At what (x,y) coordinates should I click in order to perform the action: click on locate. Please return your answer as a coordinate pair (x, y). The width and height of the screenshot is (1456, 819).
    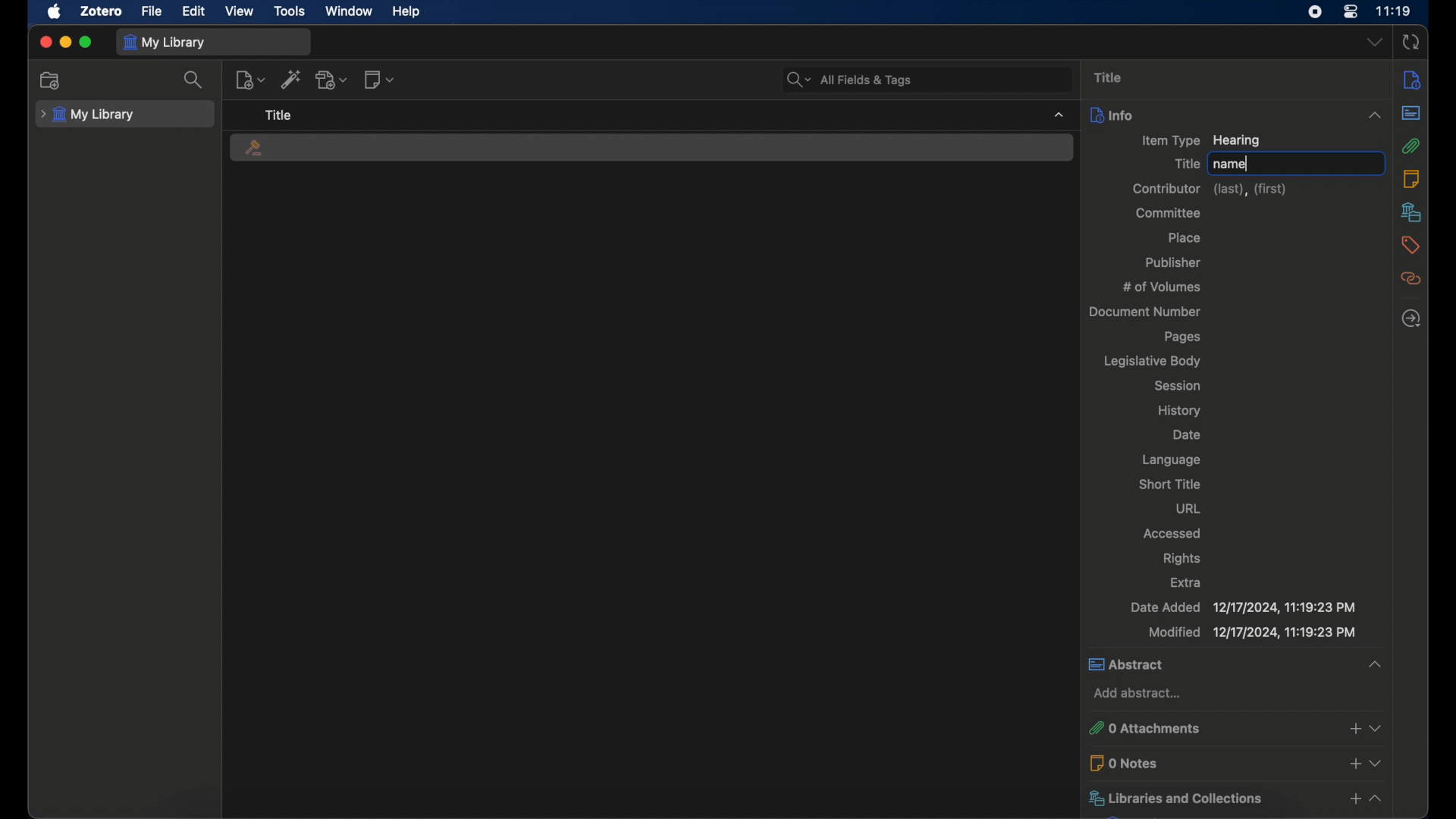
    Looking at the image, I should click on (1411, 318).